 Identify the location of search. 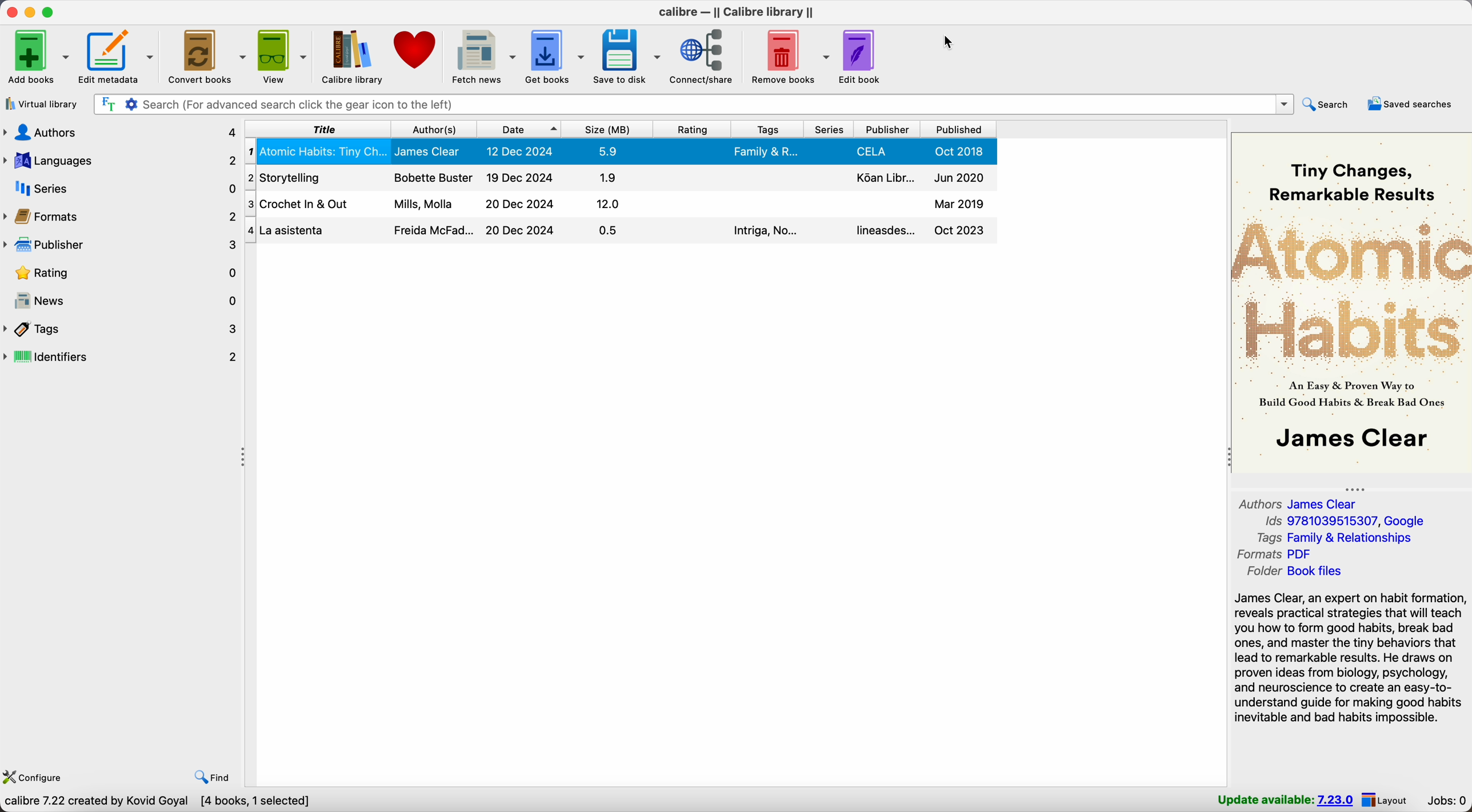
(1327, 105).